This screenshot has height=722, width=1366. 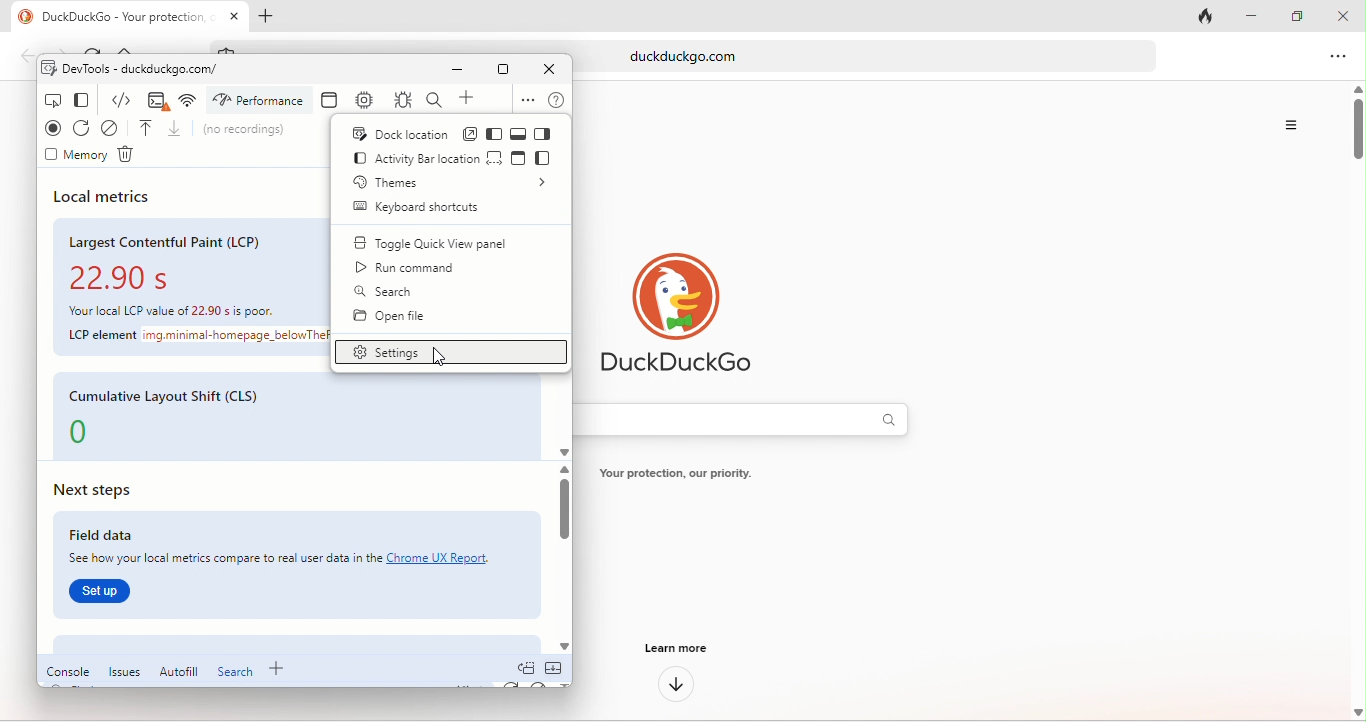 What do you see at coordinates (1338, 59) in the screenshot?
I see `option` at bounding box center [1338, 59].